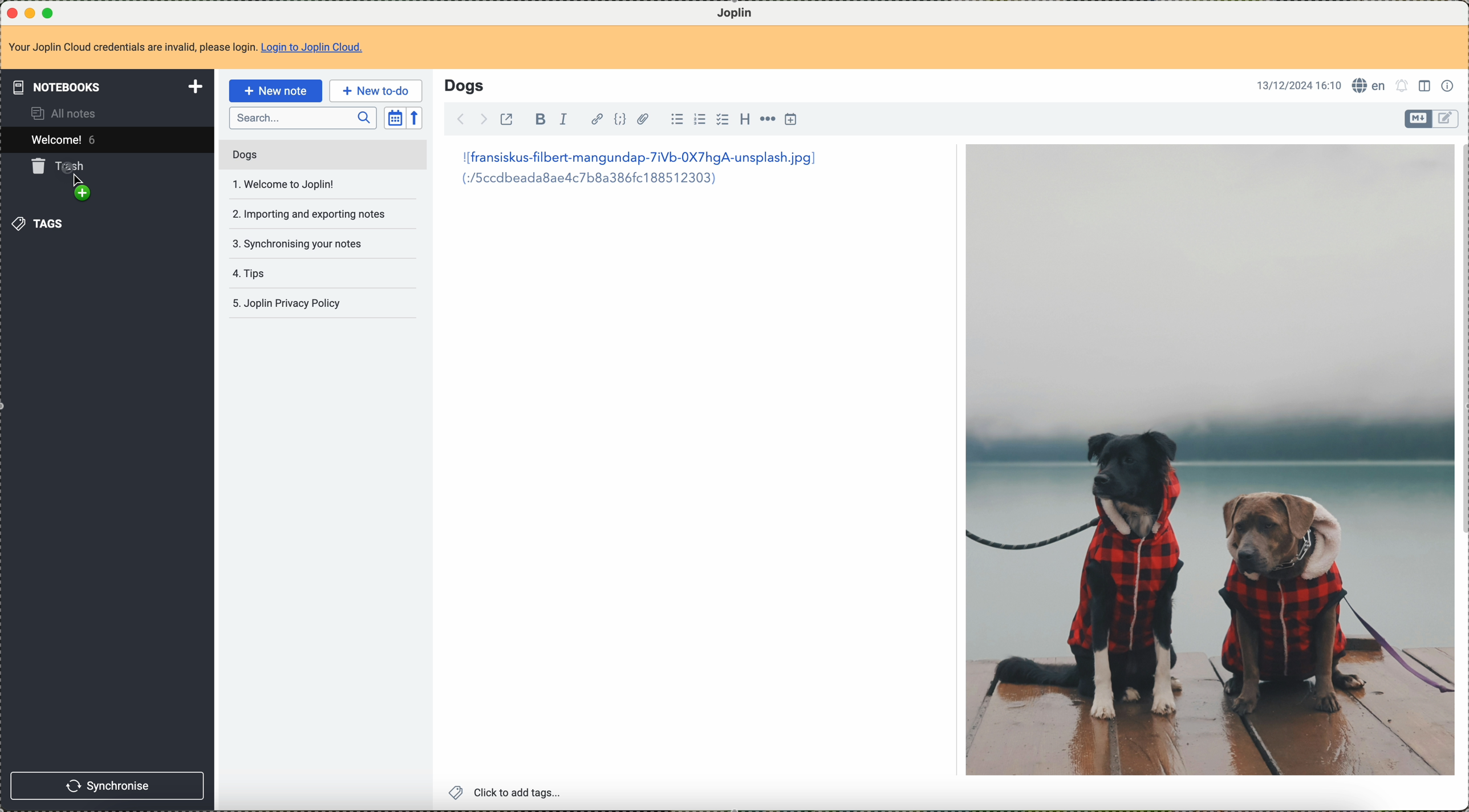  I want to click on hyperlink, so click(594, 119).